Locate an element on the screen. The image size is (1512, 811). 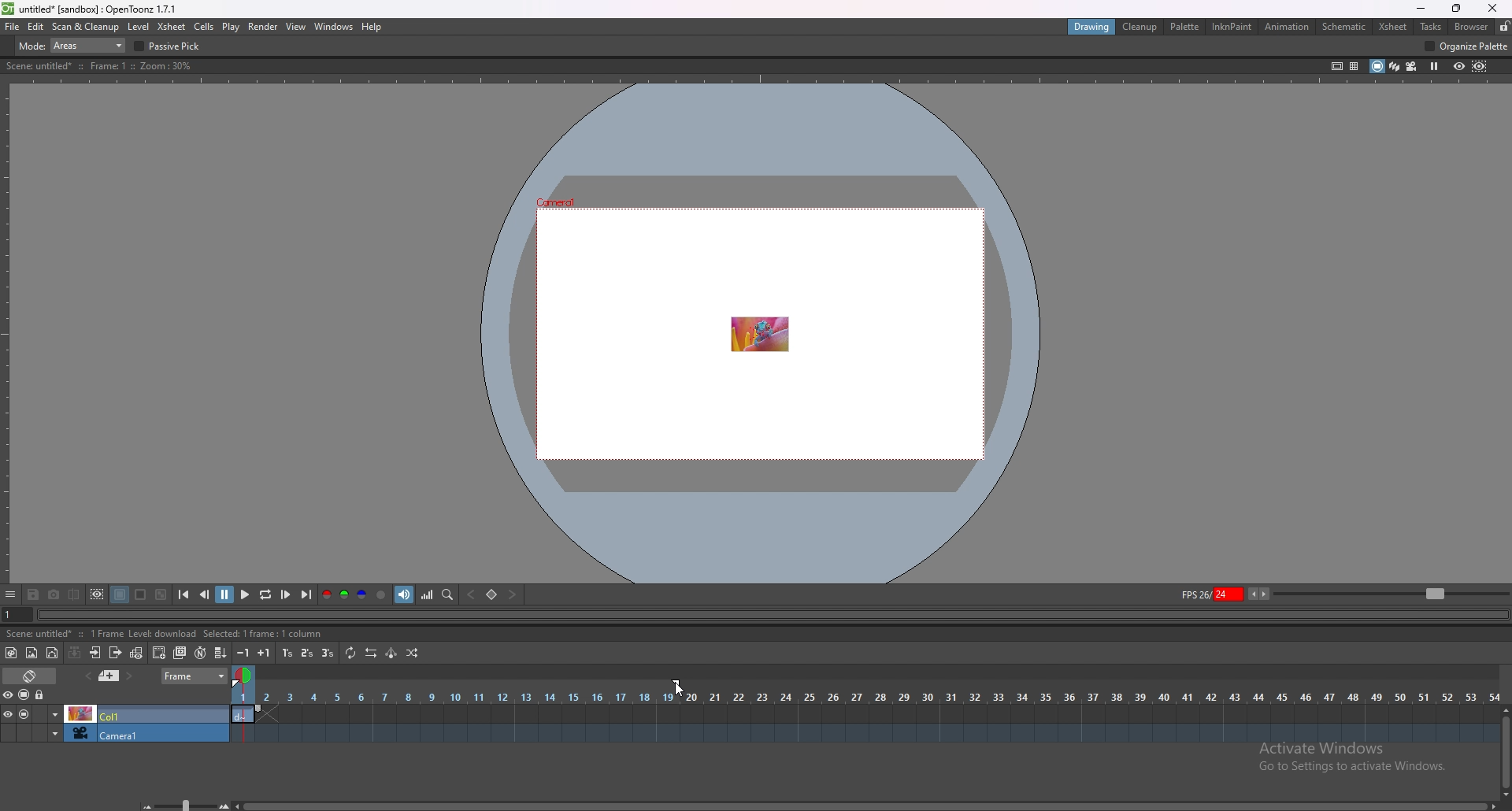
level is located at coordinates (138, 28).